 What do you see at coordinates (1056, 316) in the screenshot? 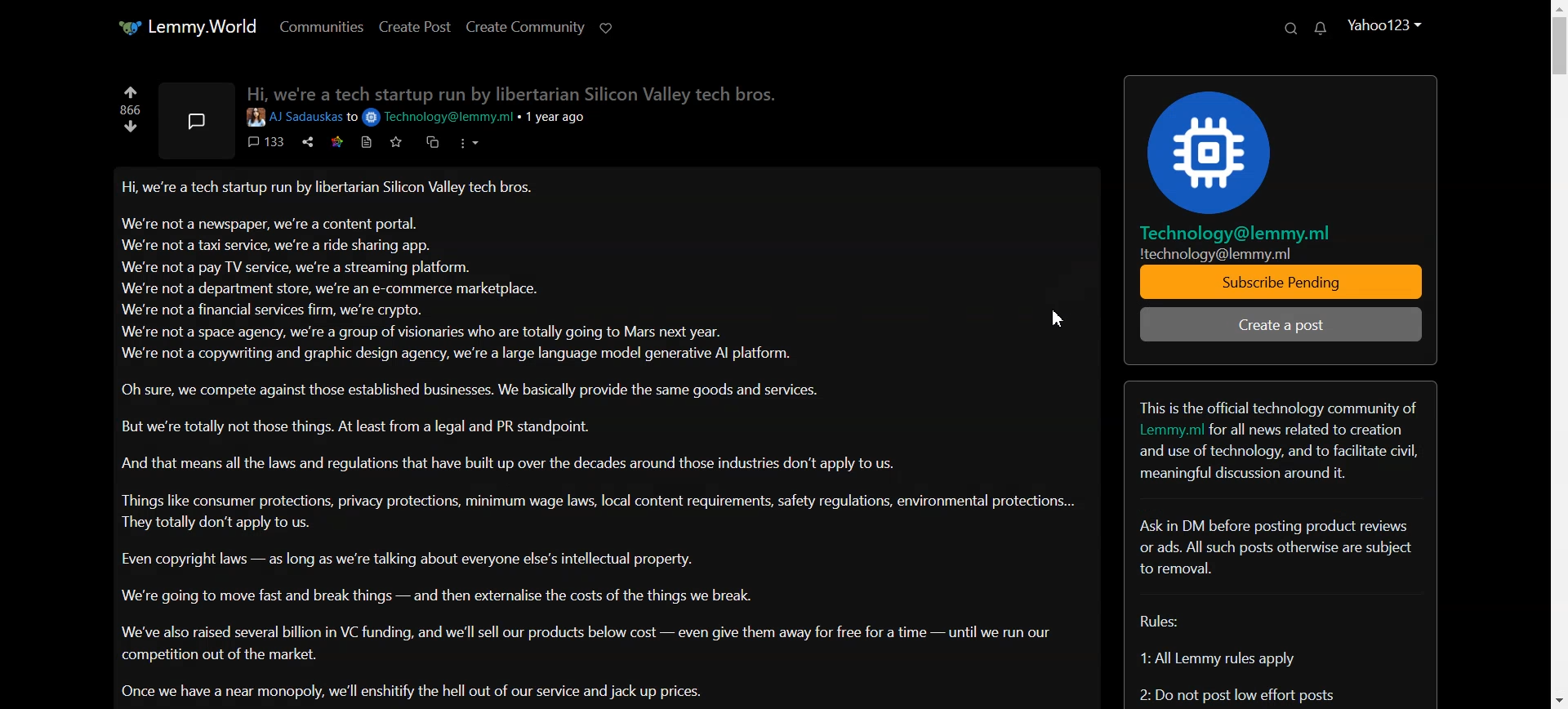
I see `Cursor` at bounding box center [1056, 316].